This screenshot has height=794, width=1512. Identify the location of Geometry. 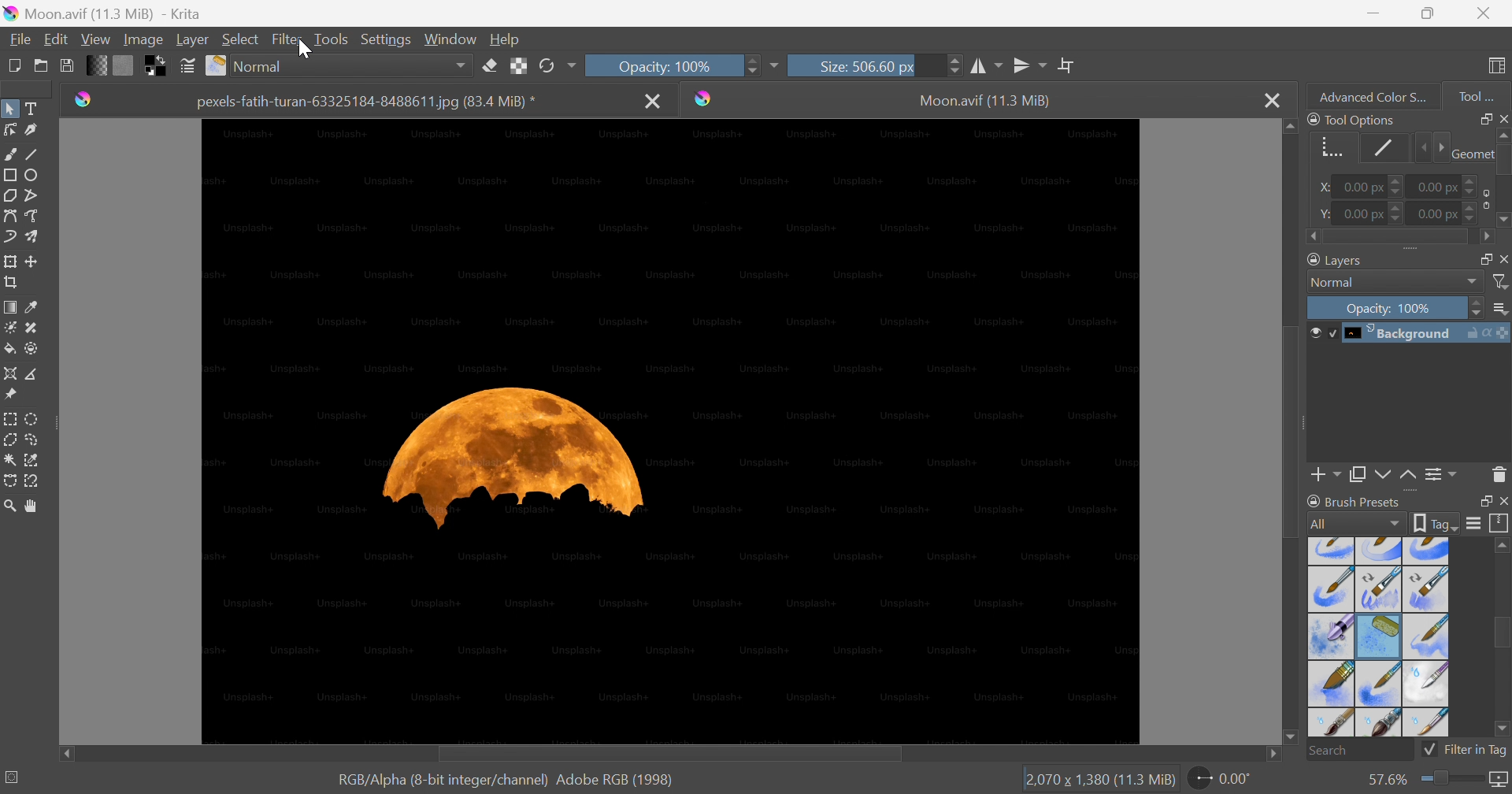
(1331, 150).